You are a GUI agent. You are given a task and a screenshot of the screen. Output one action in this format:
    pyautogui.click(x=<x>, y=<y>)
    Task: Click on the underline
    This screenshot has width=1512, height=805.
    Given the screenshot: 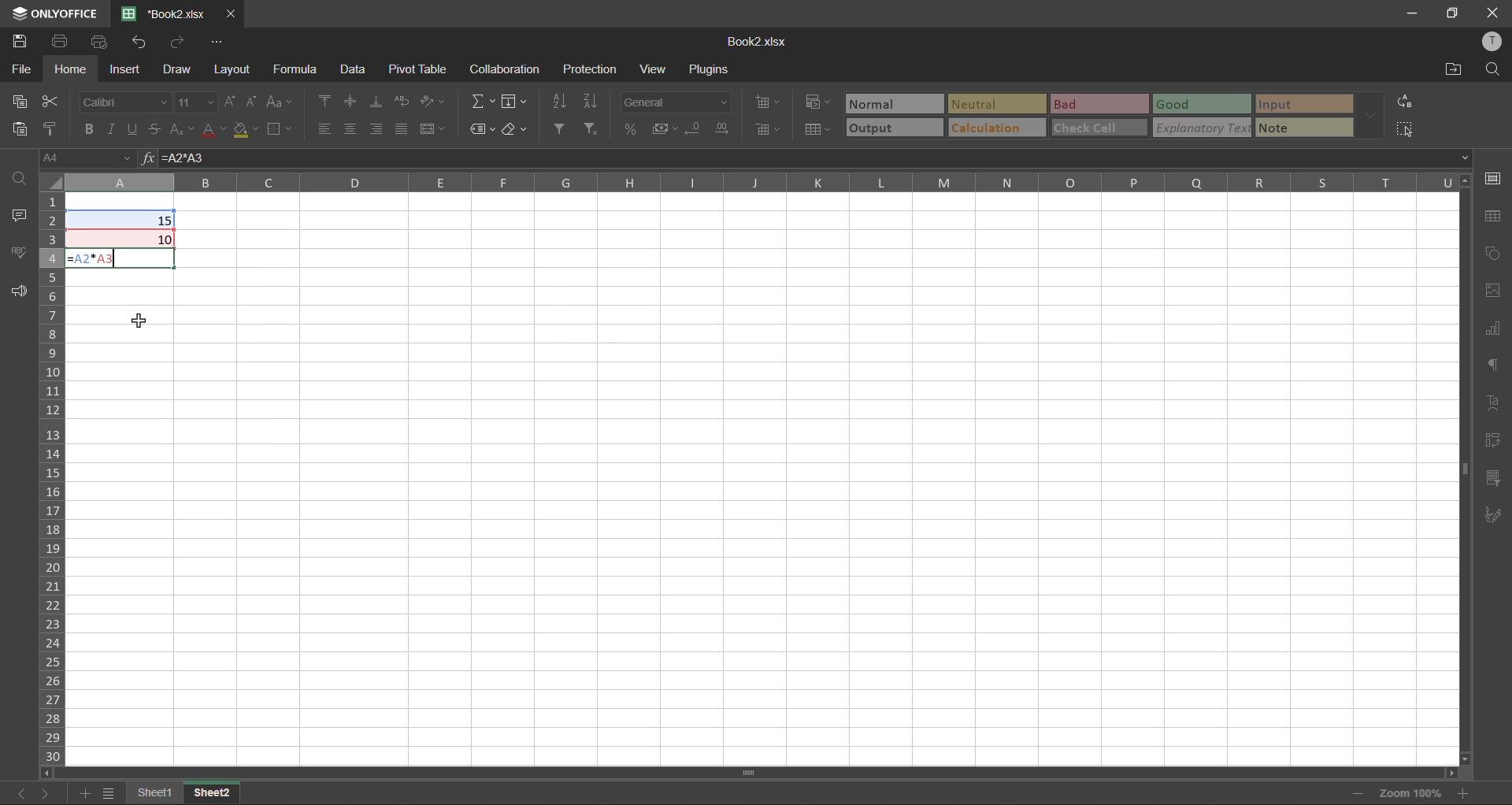 What is the action you would take?
    pyautogui.click(x=132, y=127)
    